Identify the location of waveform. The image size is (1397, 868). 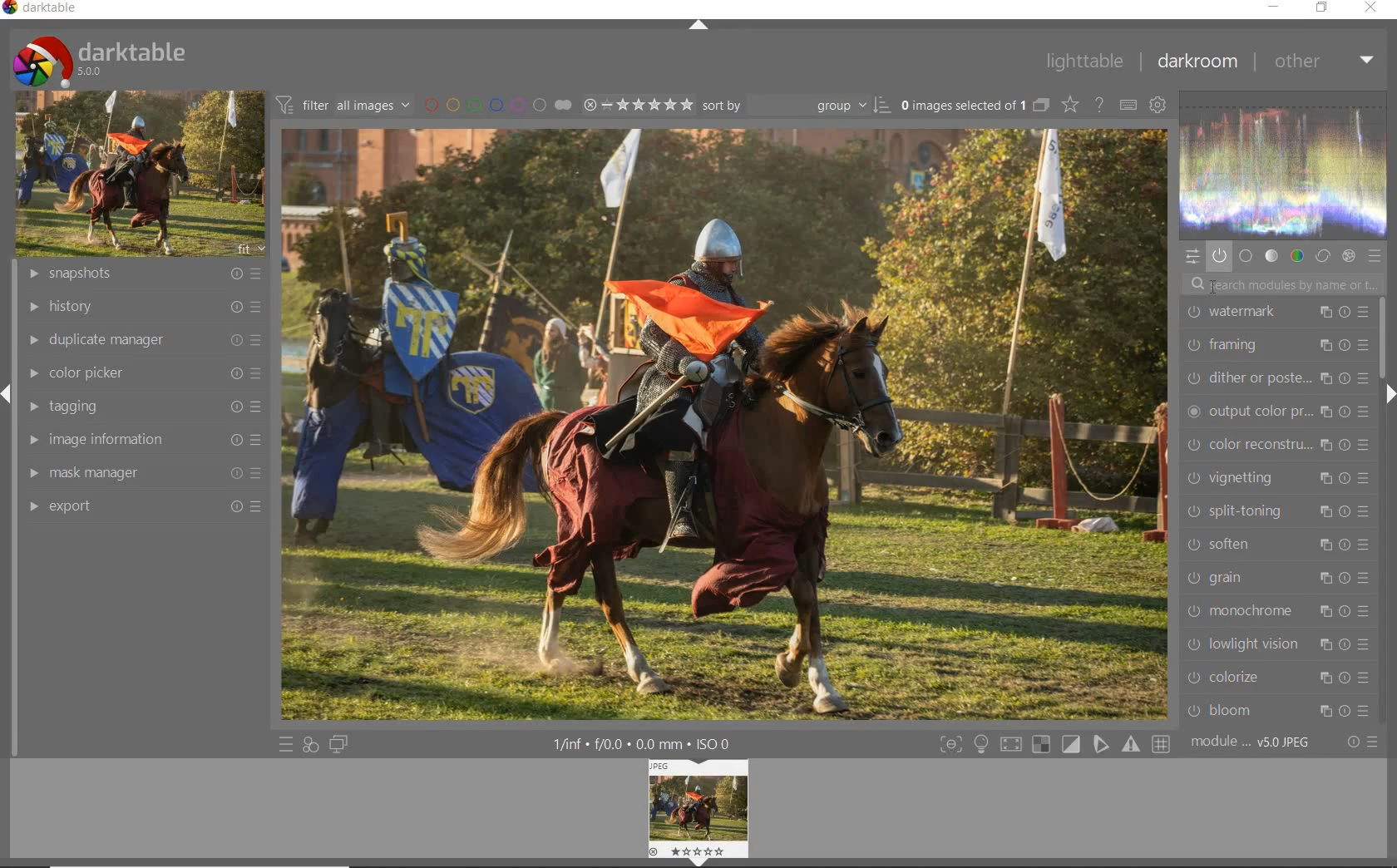
(1281, 163).